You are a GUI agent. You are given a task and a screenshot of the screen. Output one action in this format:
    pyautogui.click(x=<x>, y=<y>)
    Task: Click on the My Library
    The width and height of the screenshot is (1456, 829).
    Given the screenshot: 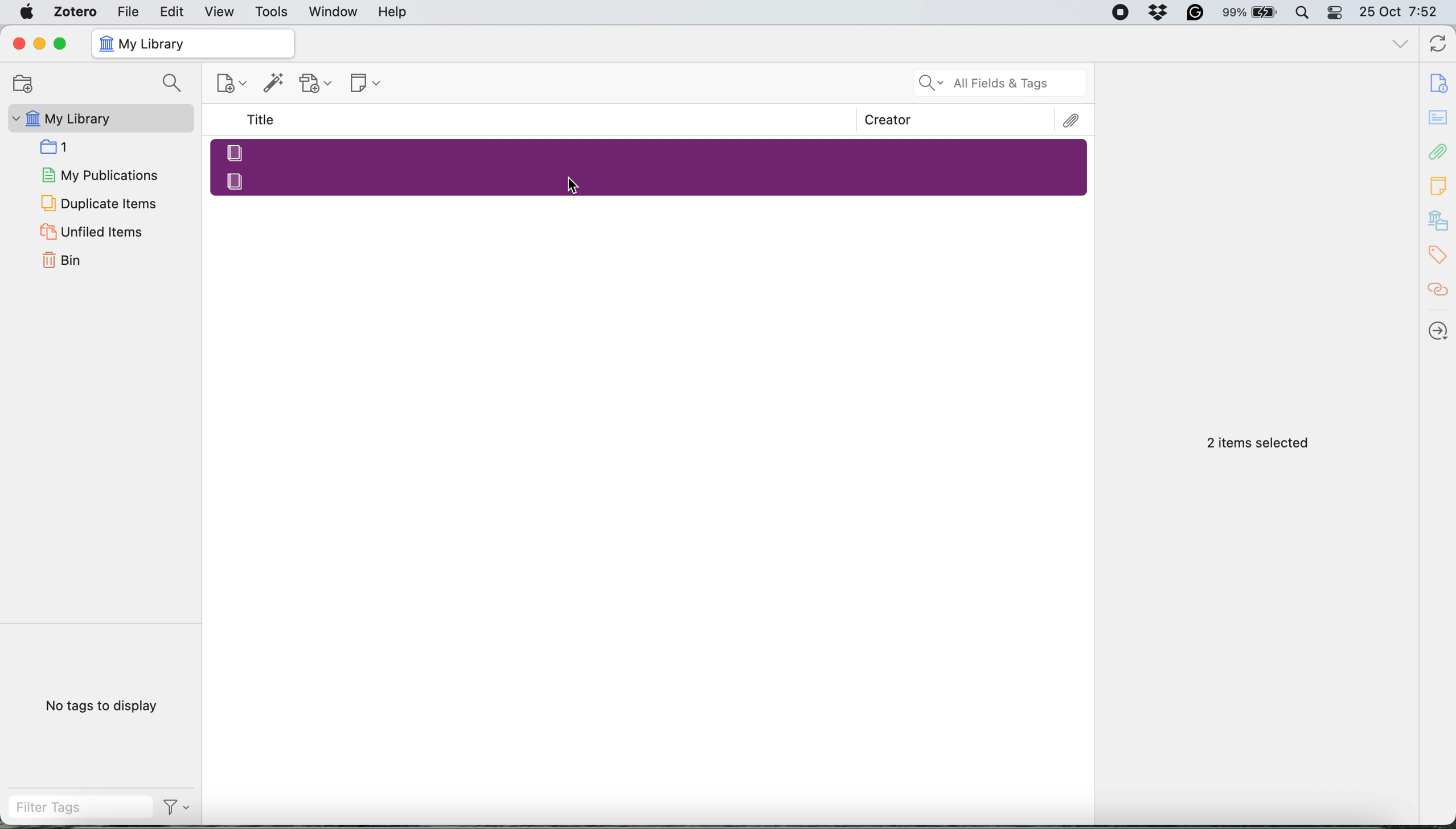 What is the action you would take?
    pyautogui.click(x=99, y=118)
    